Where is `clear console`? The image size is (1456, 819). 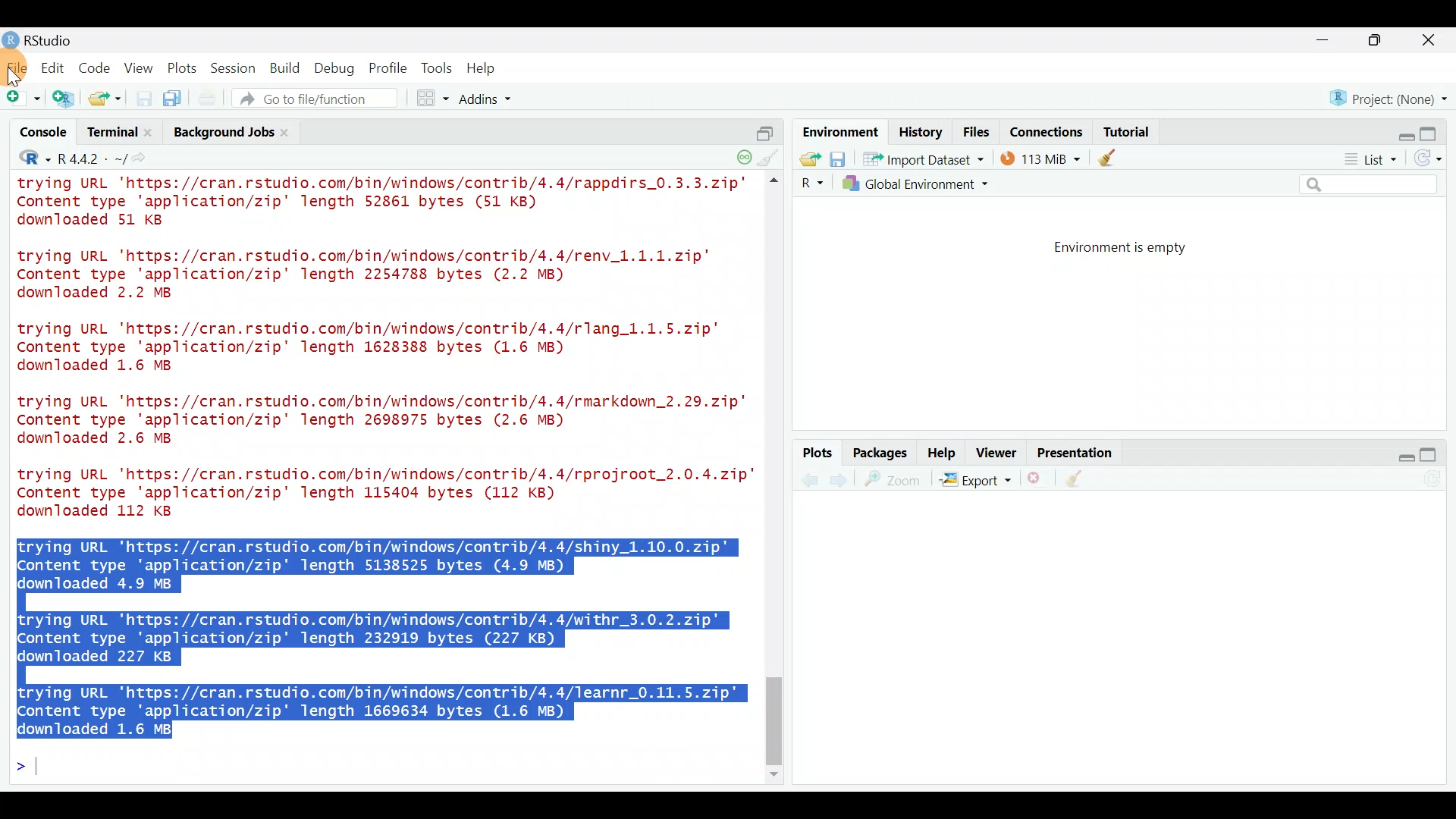
clear console is located at coordinates (770, 156).